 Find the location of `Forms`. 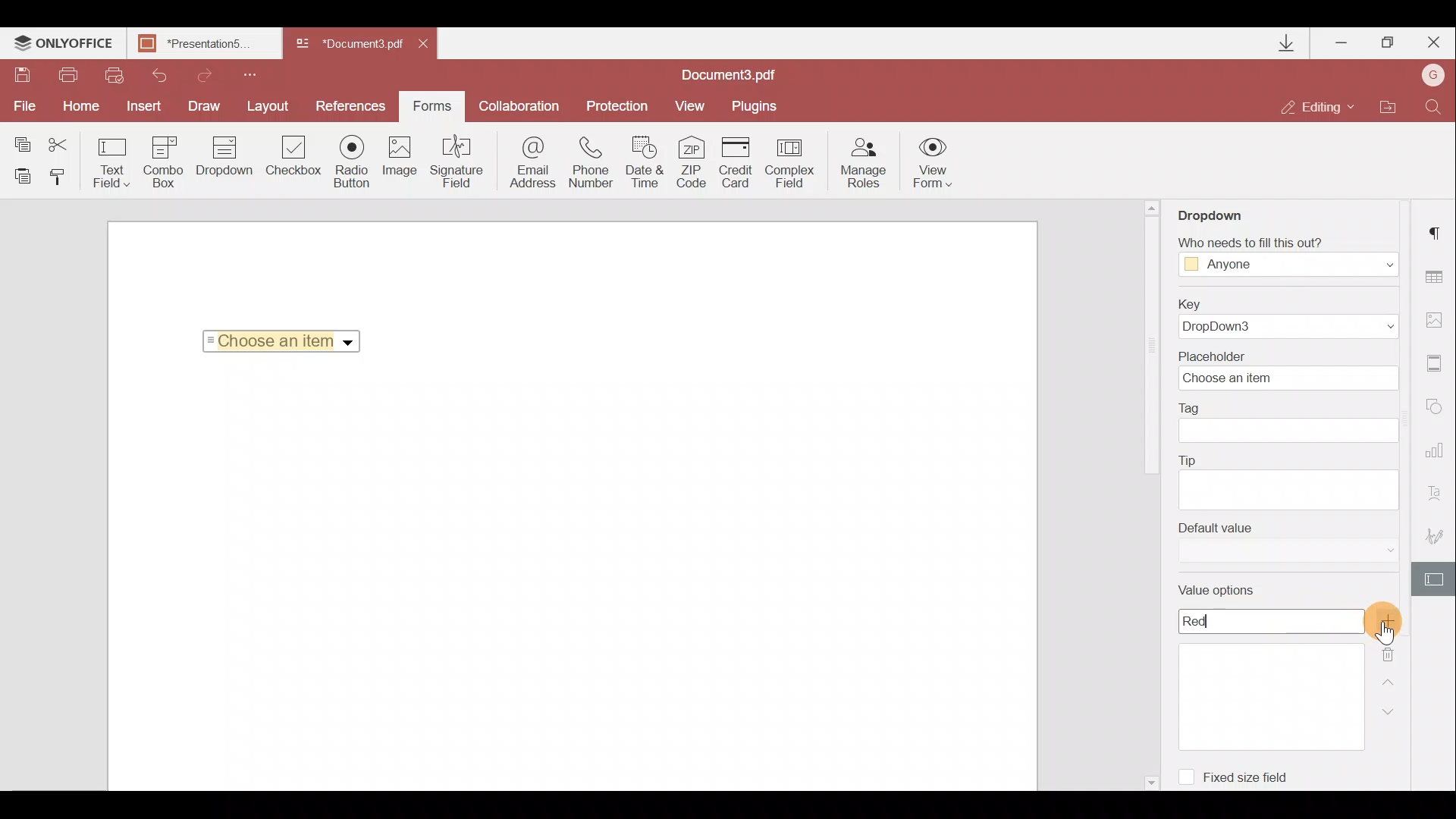

Forms is located at coordinates (432, 106).